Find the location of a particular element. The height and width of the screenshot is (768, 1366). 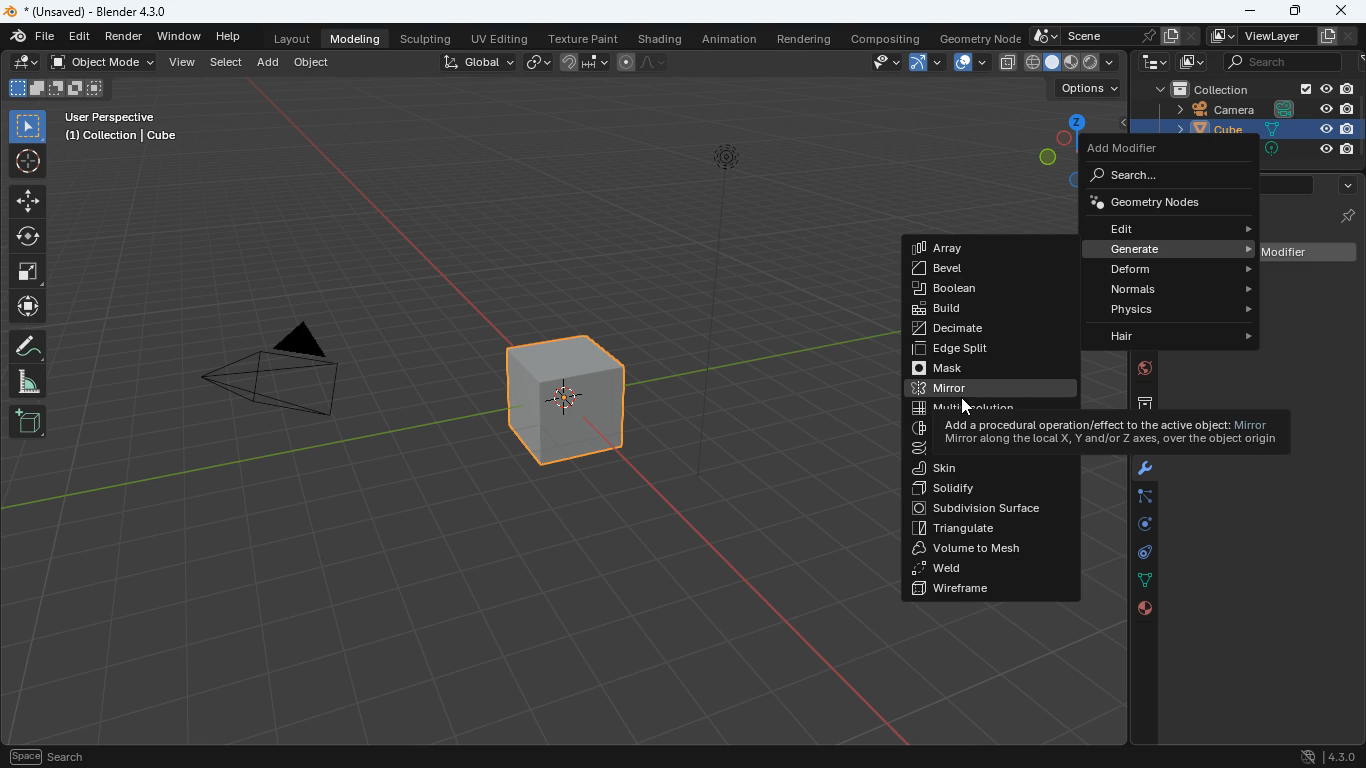

layout is located at coordinates (293, 37).